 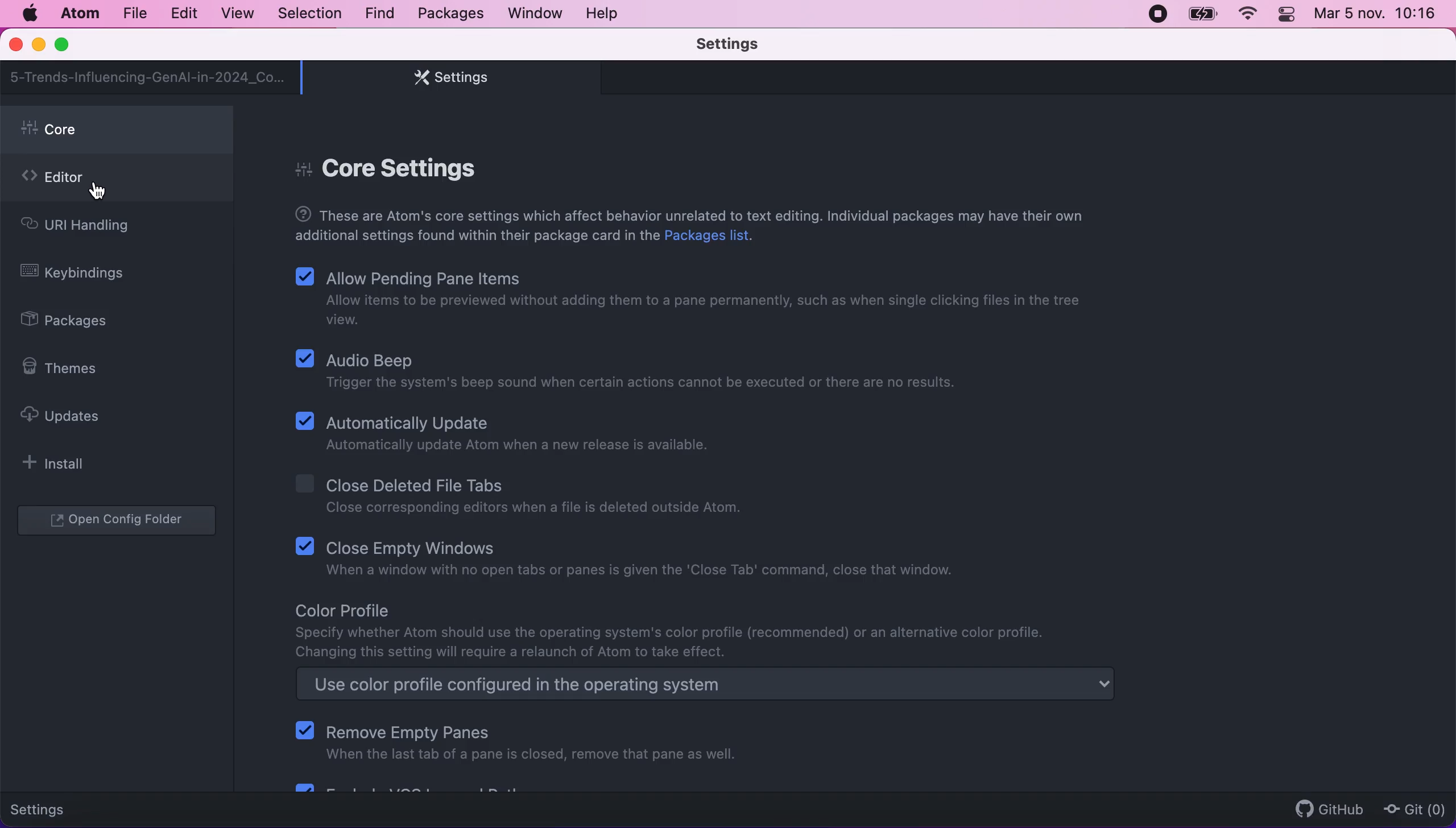 I want to click on view, so click(x=234, y=14).